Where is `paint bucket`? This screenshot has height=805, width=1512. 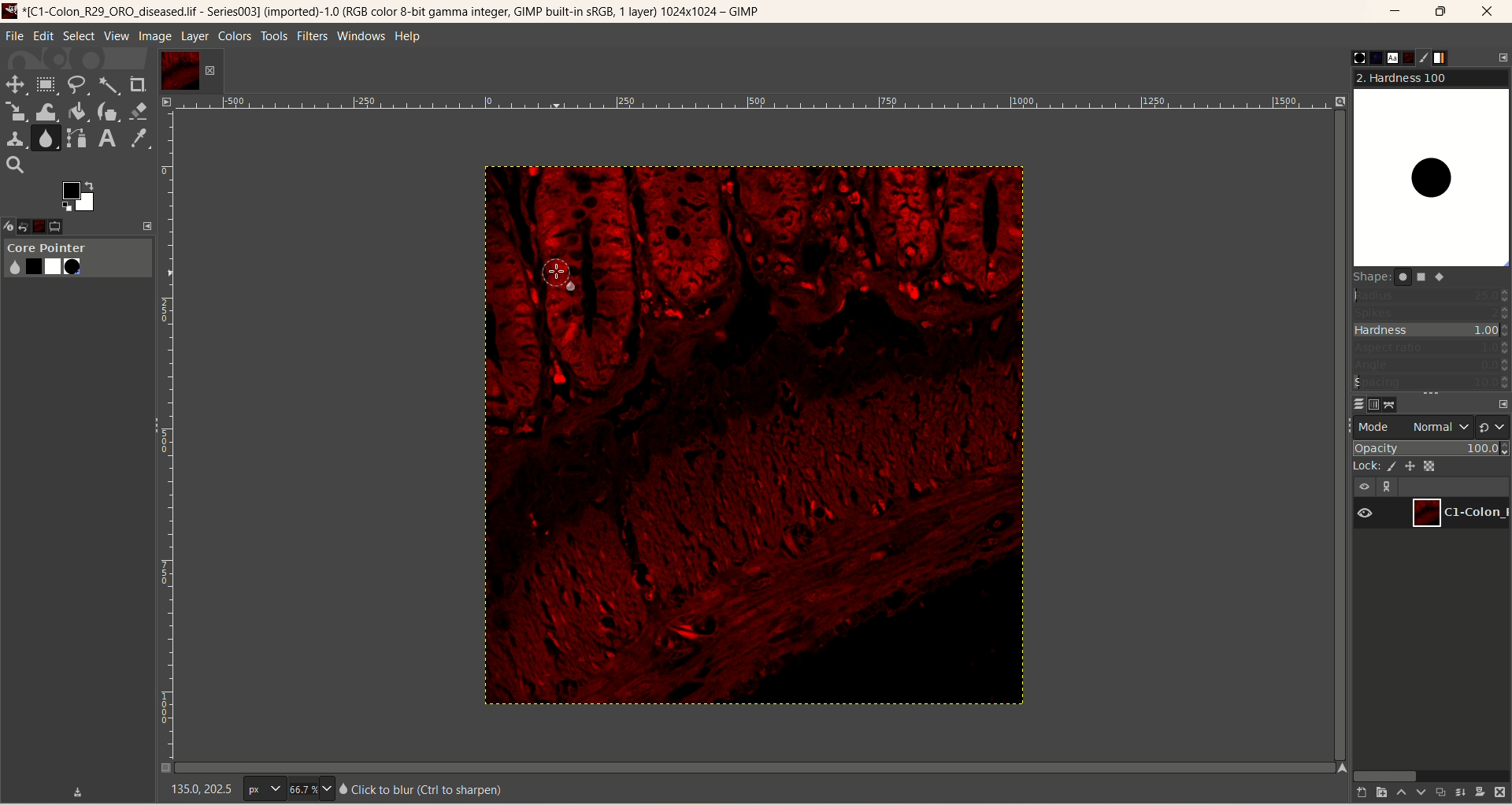
paint bucket is located at coordinates (79, 110).